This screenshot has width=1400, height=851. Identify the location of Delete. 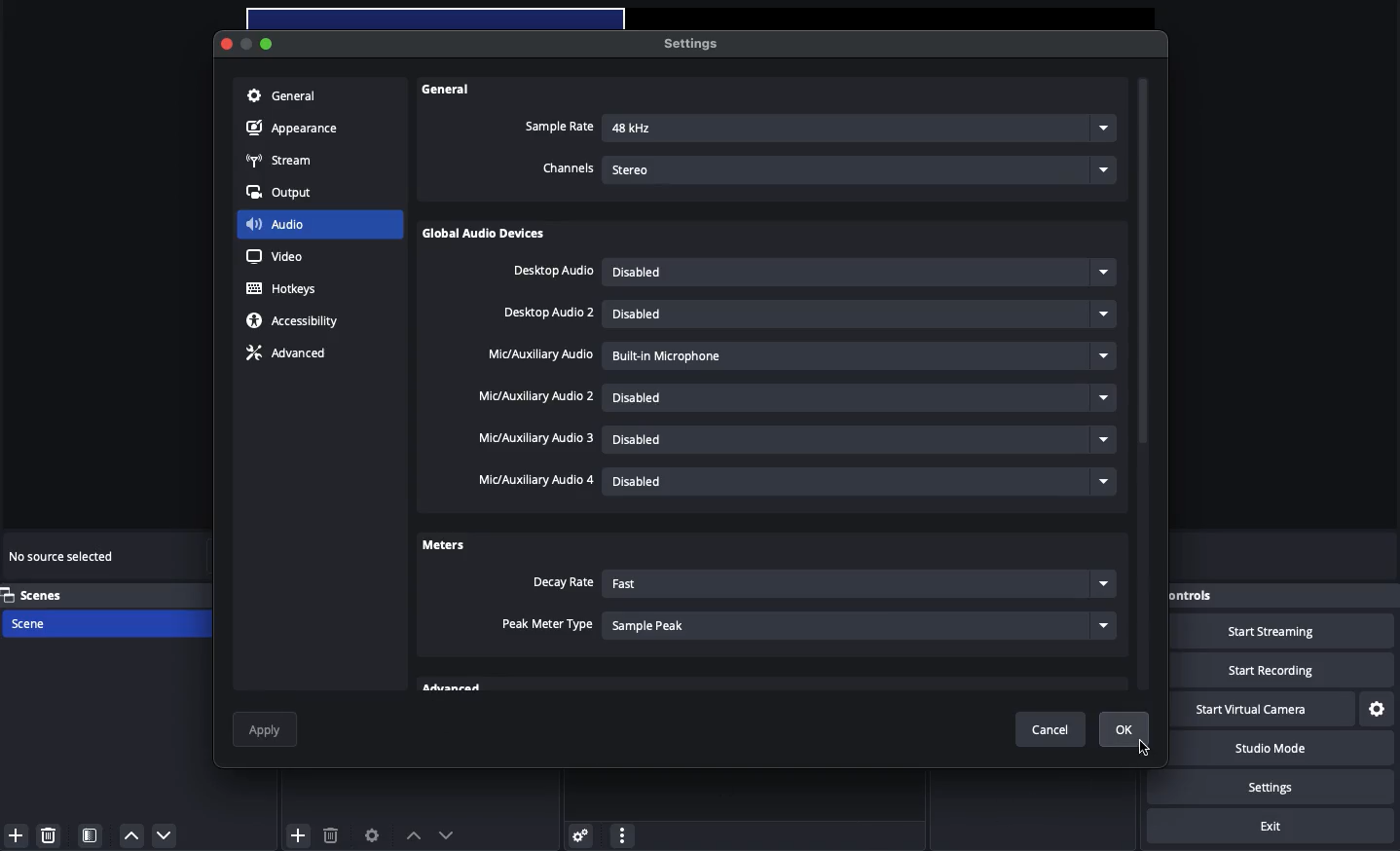
(51, 834).